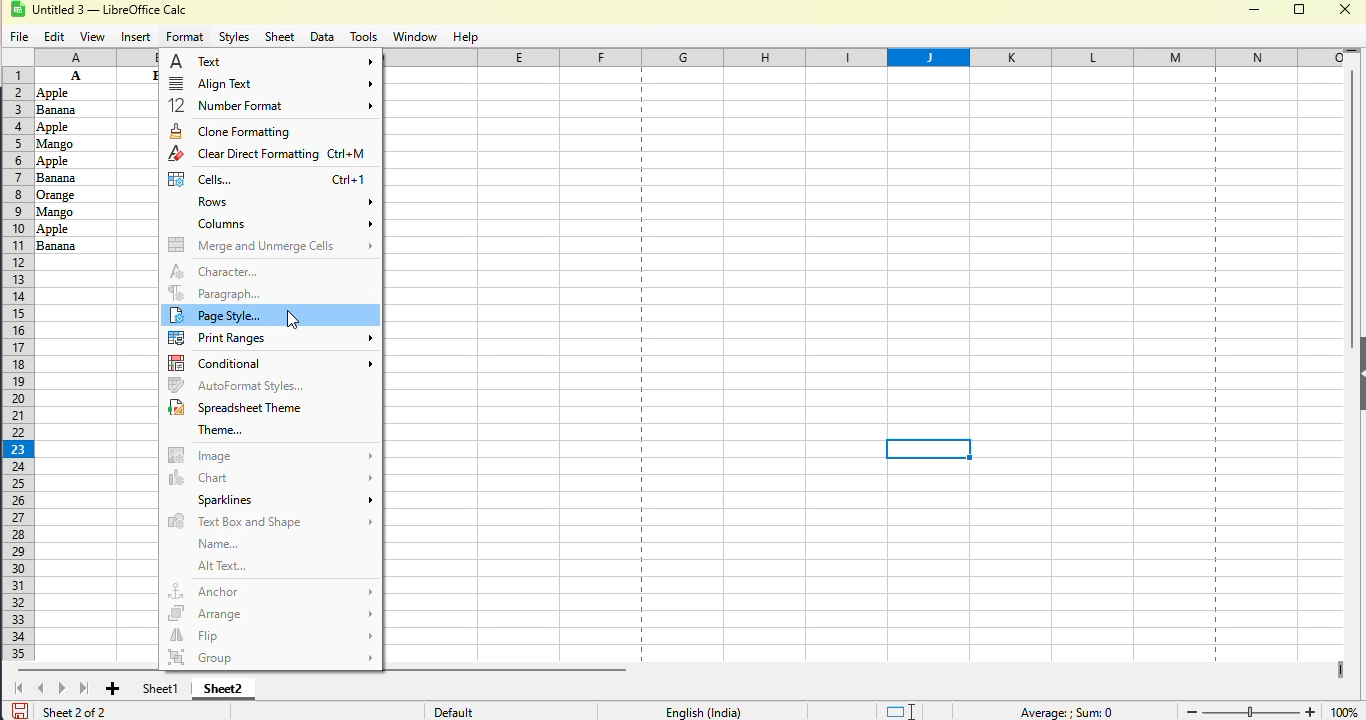 The width and height of the screenshot is (1366, 720). I want to click on print ranges, so click(271, 337).